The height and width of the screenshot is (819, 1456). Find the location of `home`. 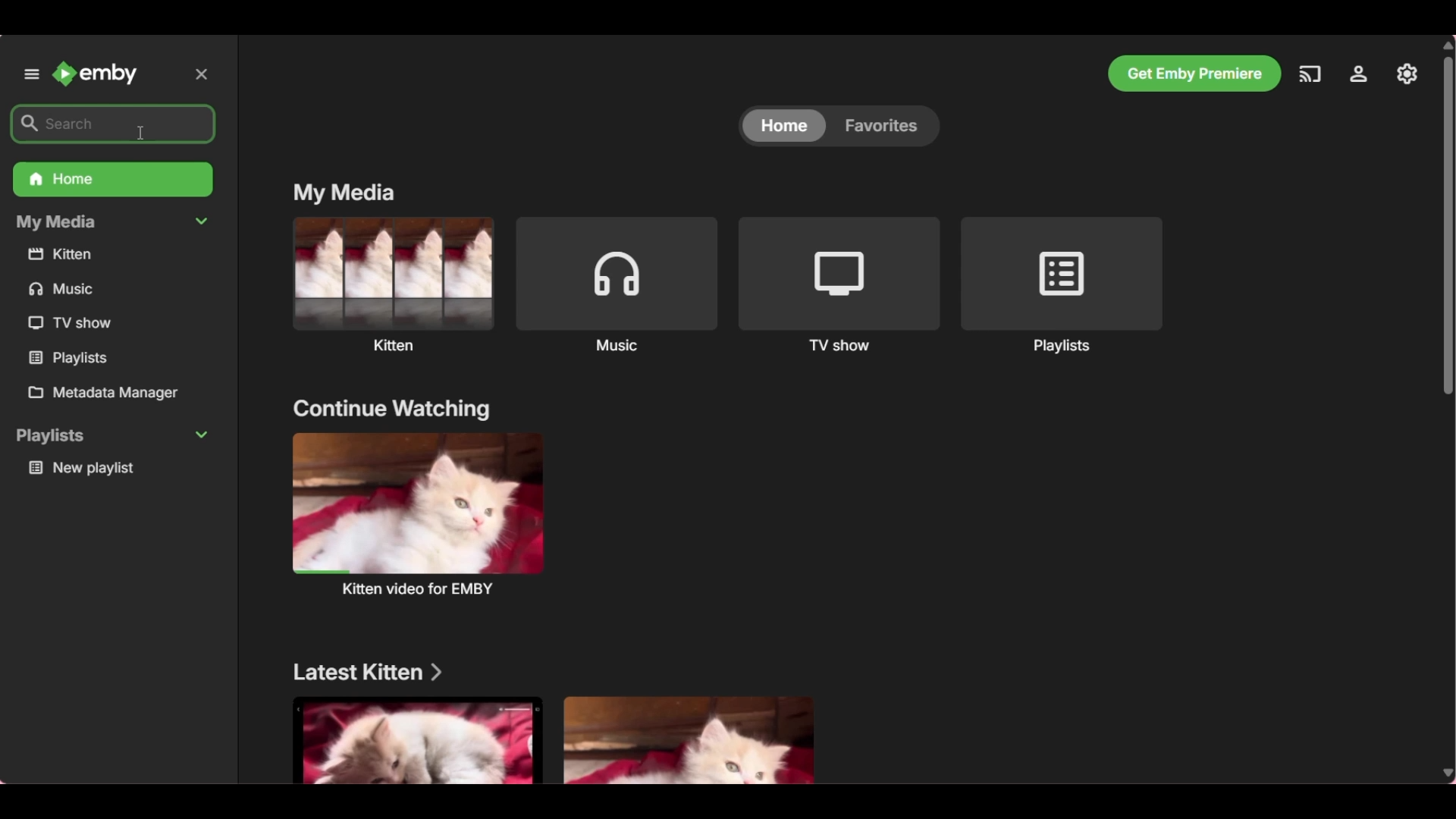

home is located at coordinates (783, 127).